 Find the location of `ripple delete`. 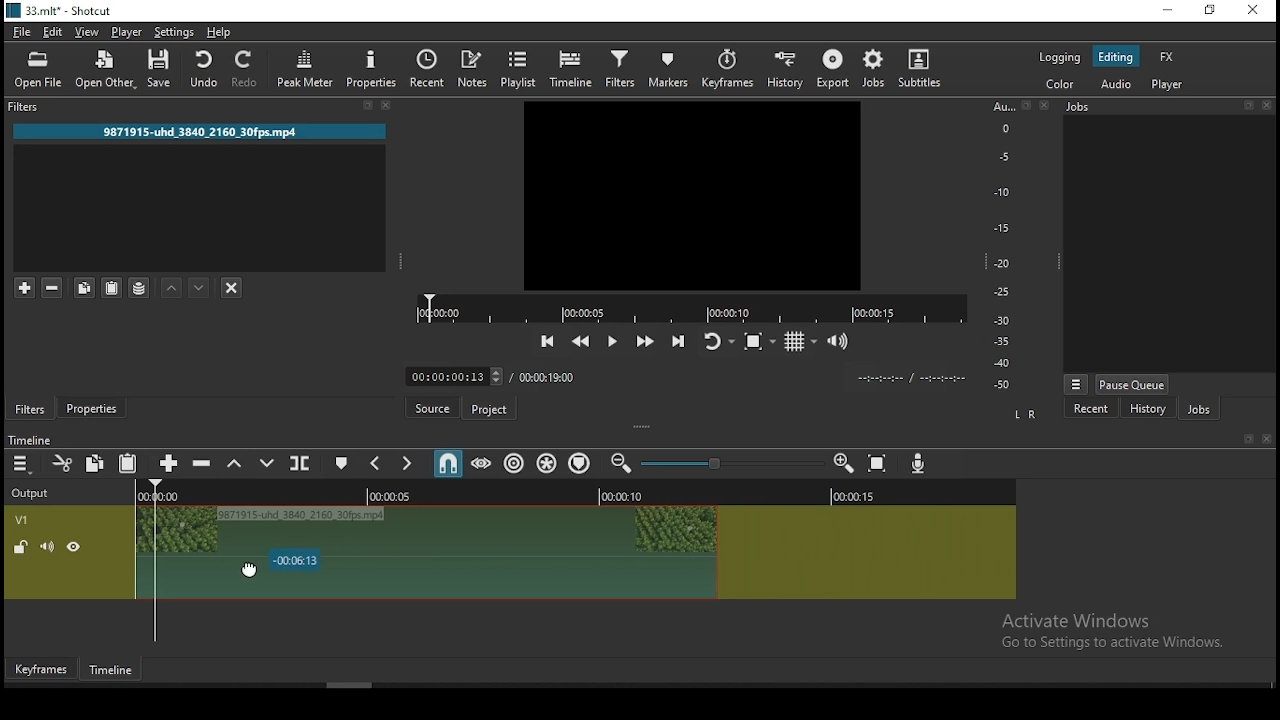

ripple delete is located at coordinates (206, 464).